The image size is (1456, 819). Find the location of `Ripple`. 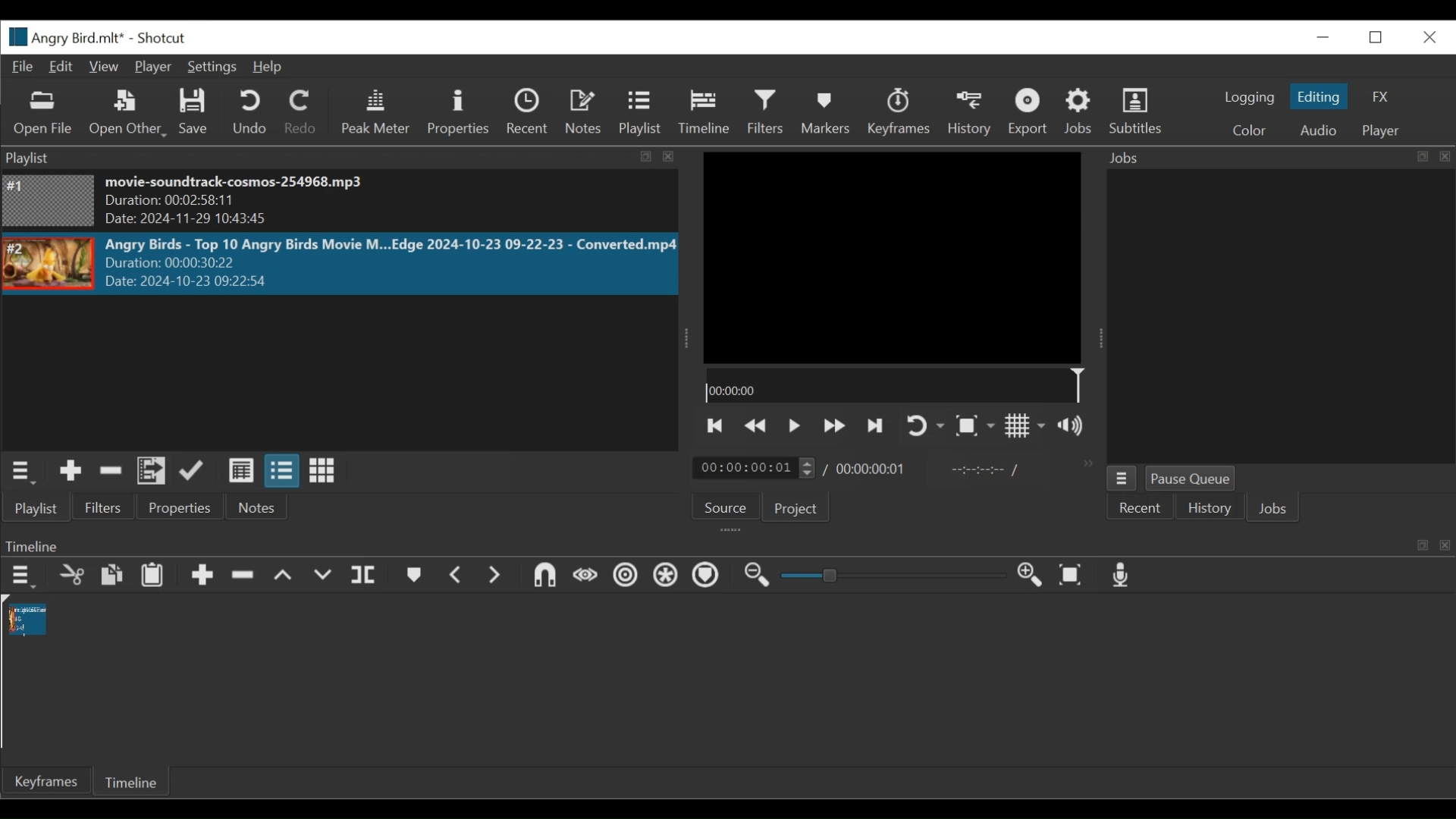

Ripple is located at coordinates (625, 578).